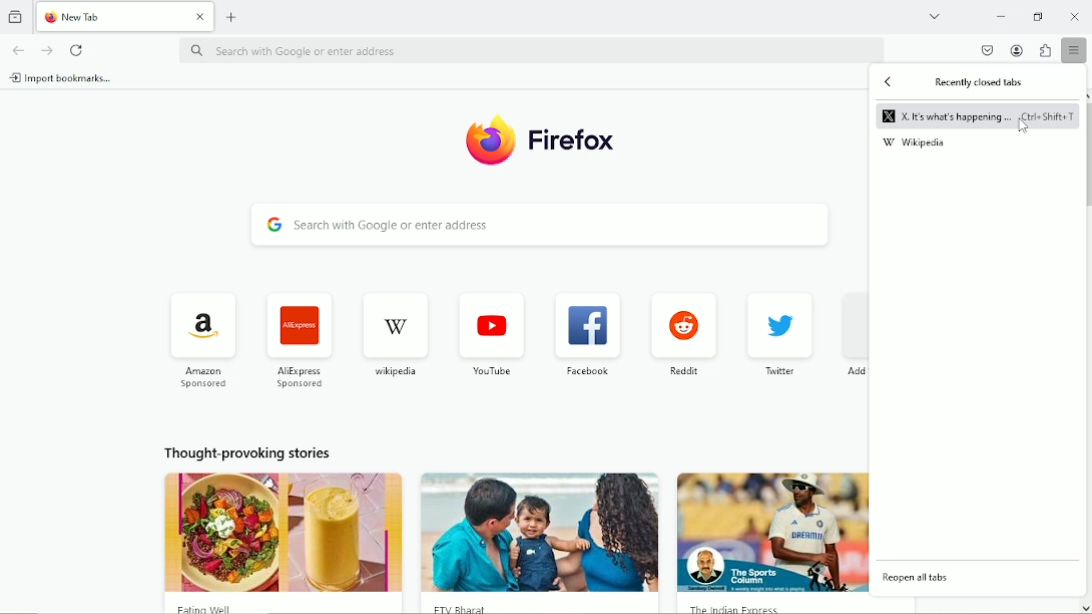 This screenshot has width=1092, height=614. I want to click on X. It's what's happening ... Ctrl+Shift+T, so click(976, 116).